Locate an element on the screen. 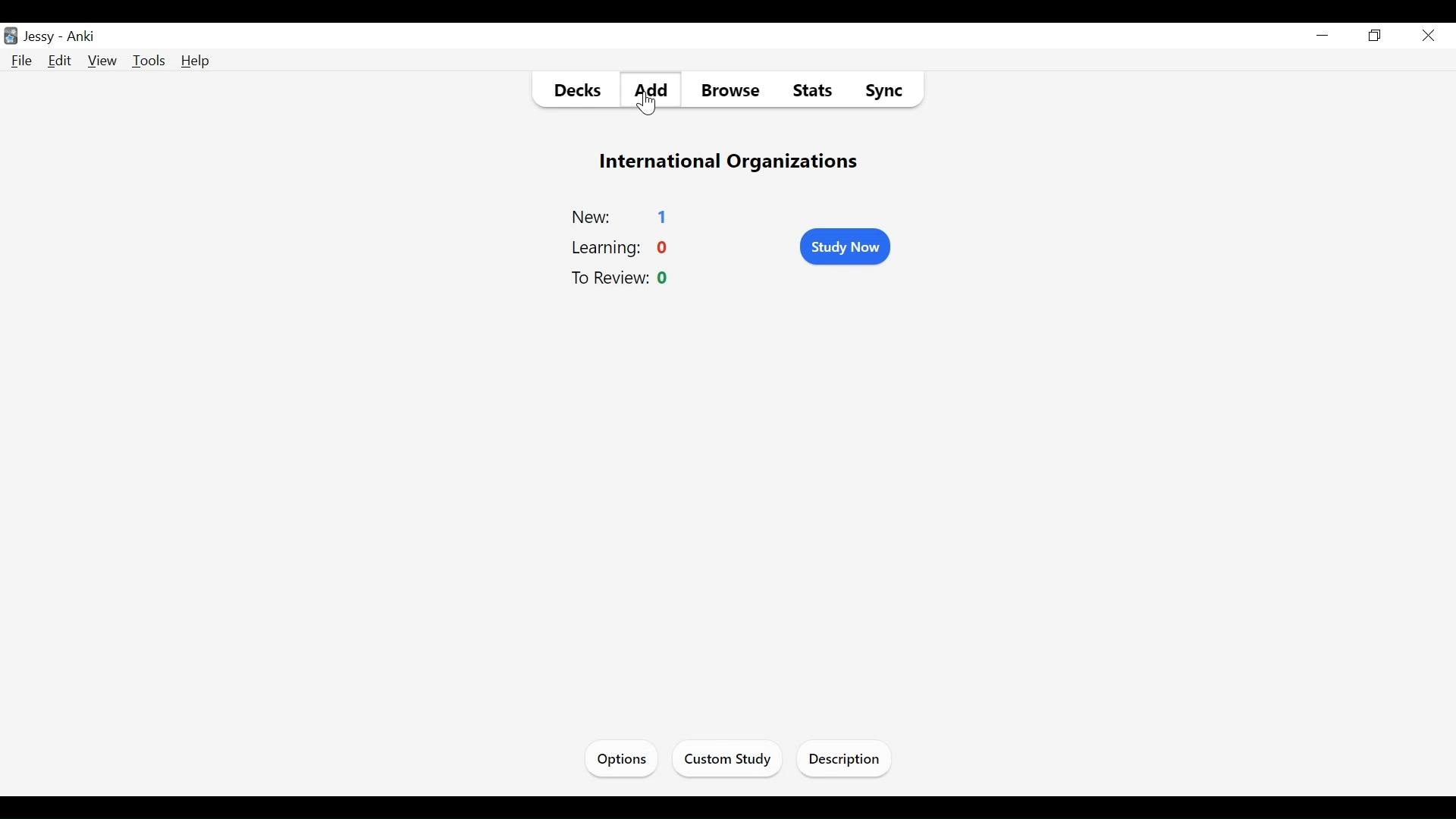  Browse is located at coordinates (735, 91).